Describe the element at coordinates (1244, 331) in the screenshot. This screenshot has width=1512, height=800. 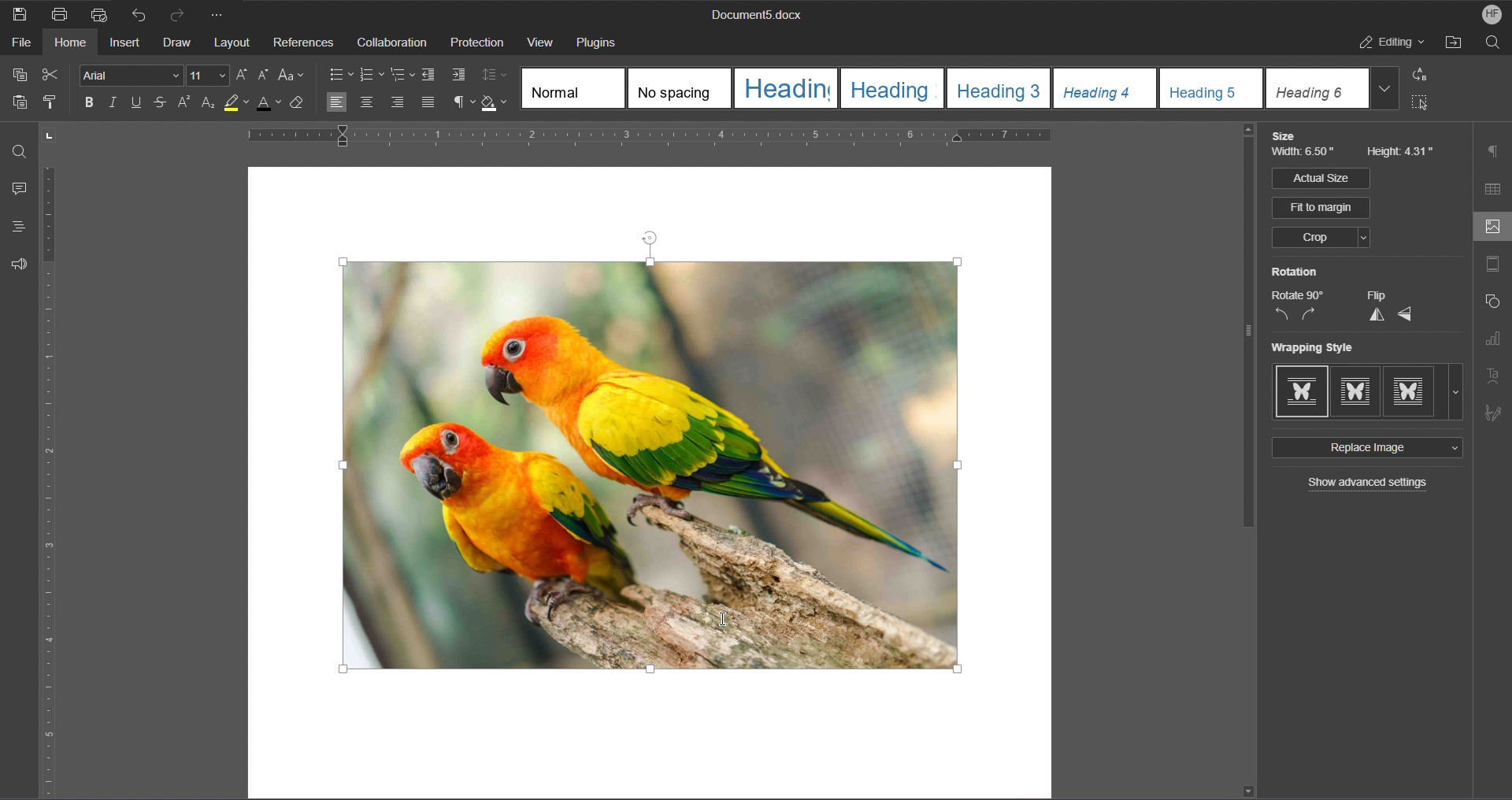
I see `scroll bar` at that location.